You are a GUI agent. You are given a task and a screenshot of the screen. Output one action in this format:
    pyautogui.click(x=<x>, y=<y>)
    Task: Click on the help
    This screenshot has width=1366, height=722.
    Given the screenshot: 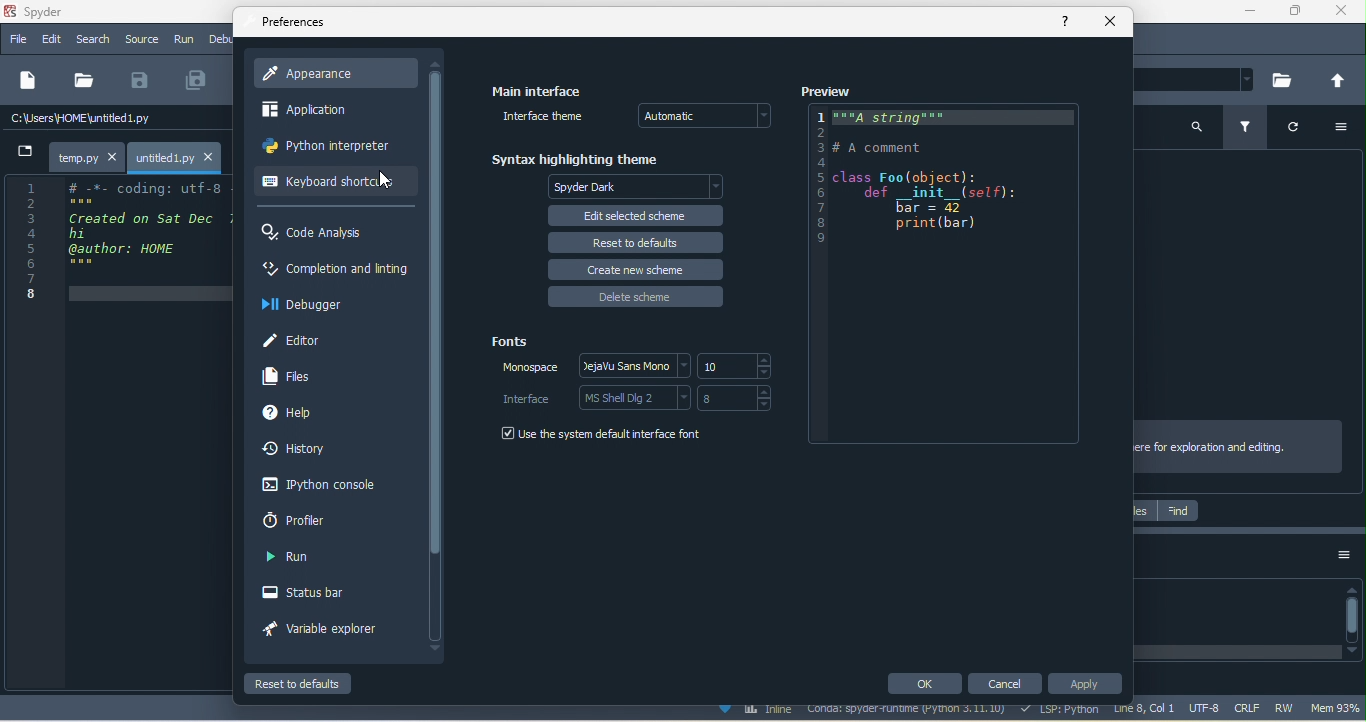 What is the action you would take?
    pyautogui.click(x=1069, y=23)
    